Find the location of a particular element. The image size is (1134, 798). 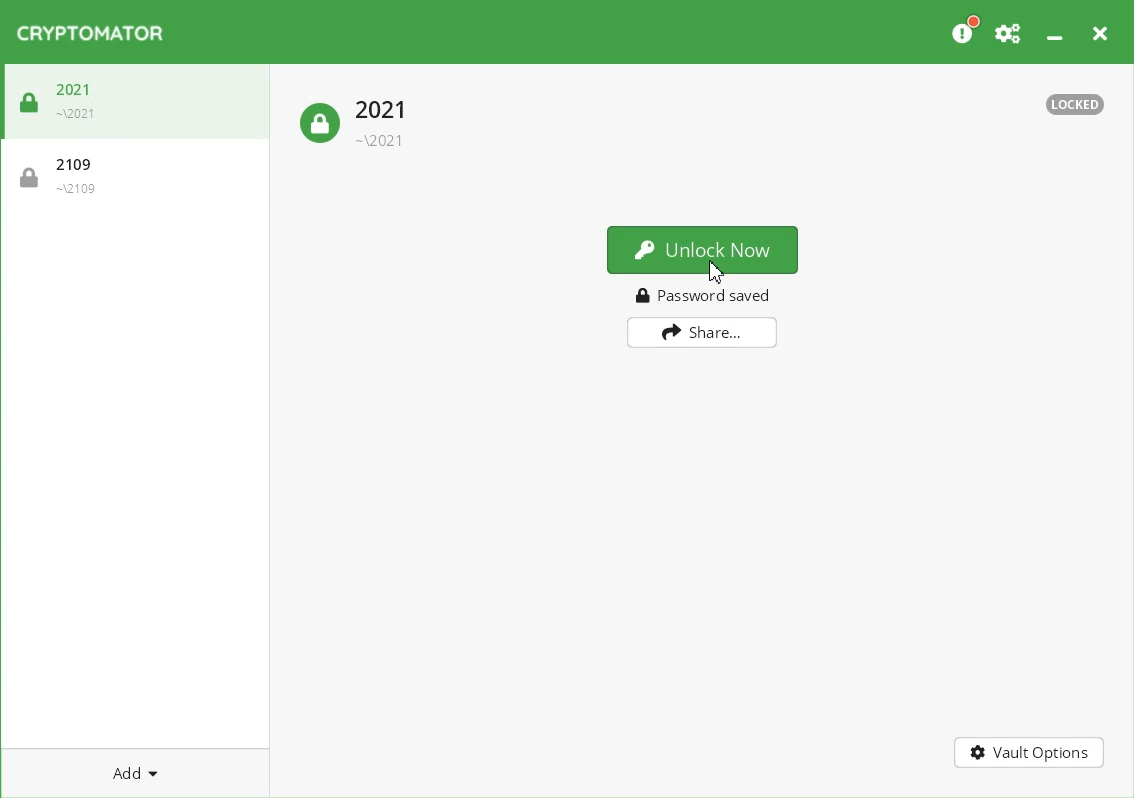

Minimize is located at coordinates (1052, 33).